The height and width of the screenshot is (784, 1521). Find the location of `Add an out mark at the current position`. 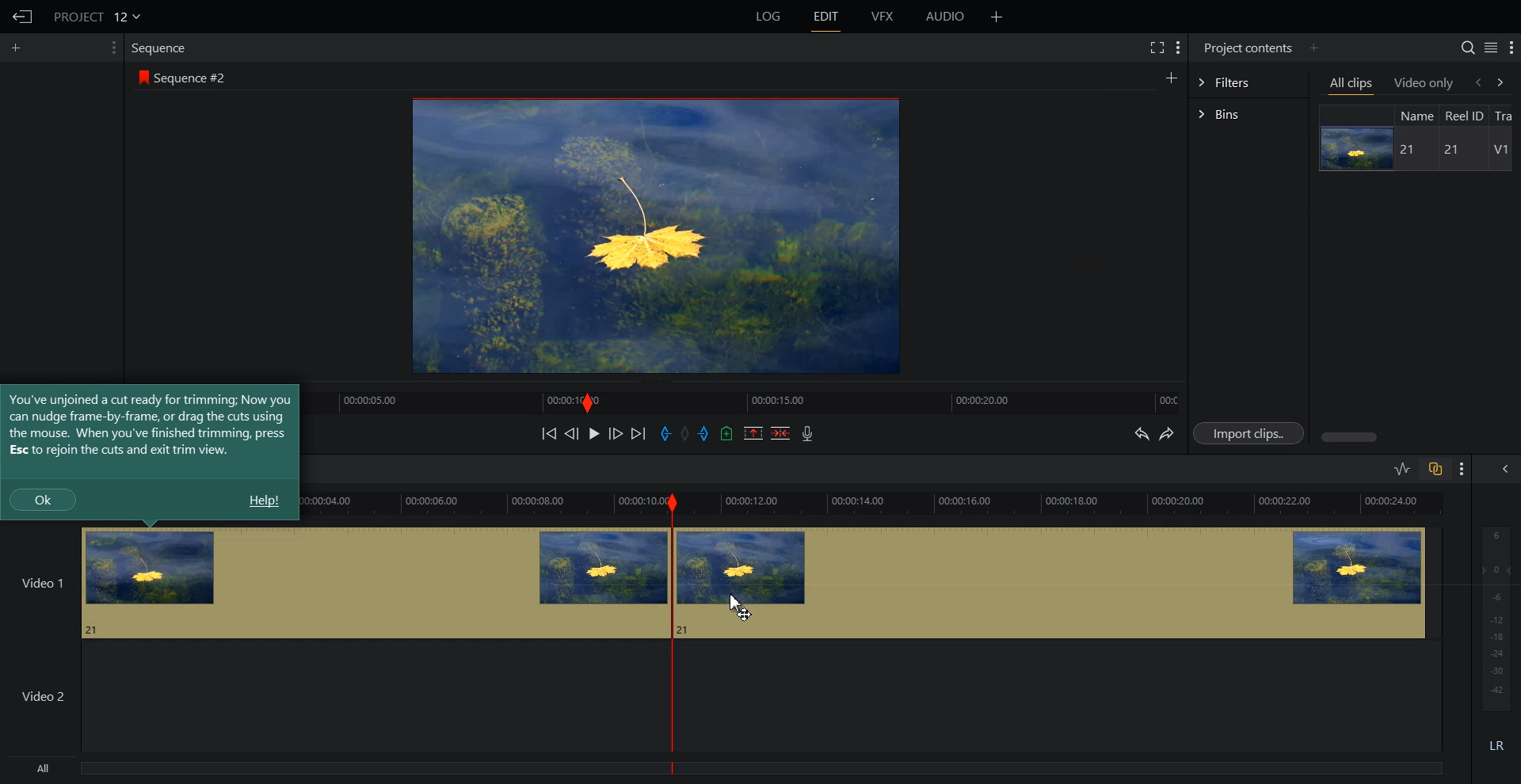

Add an out mark at the current position is located at coordinates (705, 432).